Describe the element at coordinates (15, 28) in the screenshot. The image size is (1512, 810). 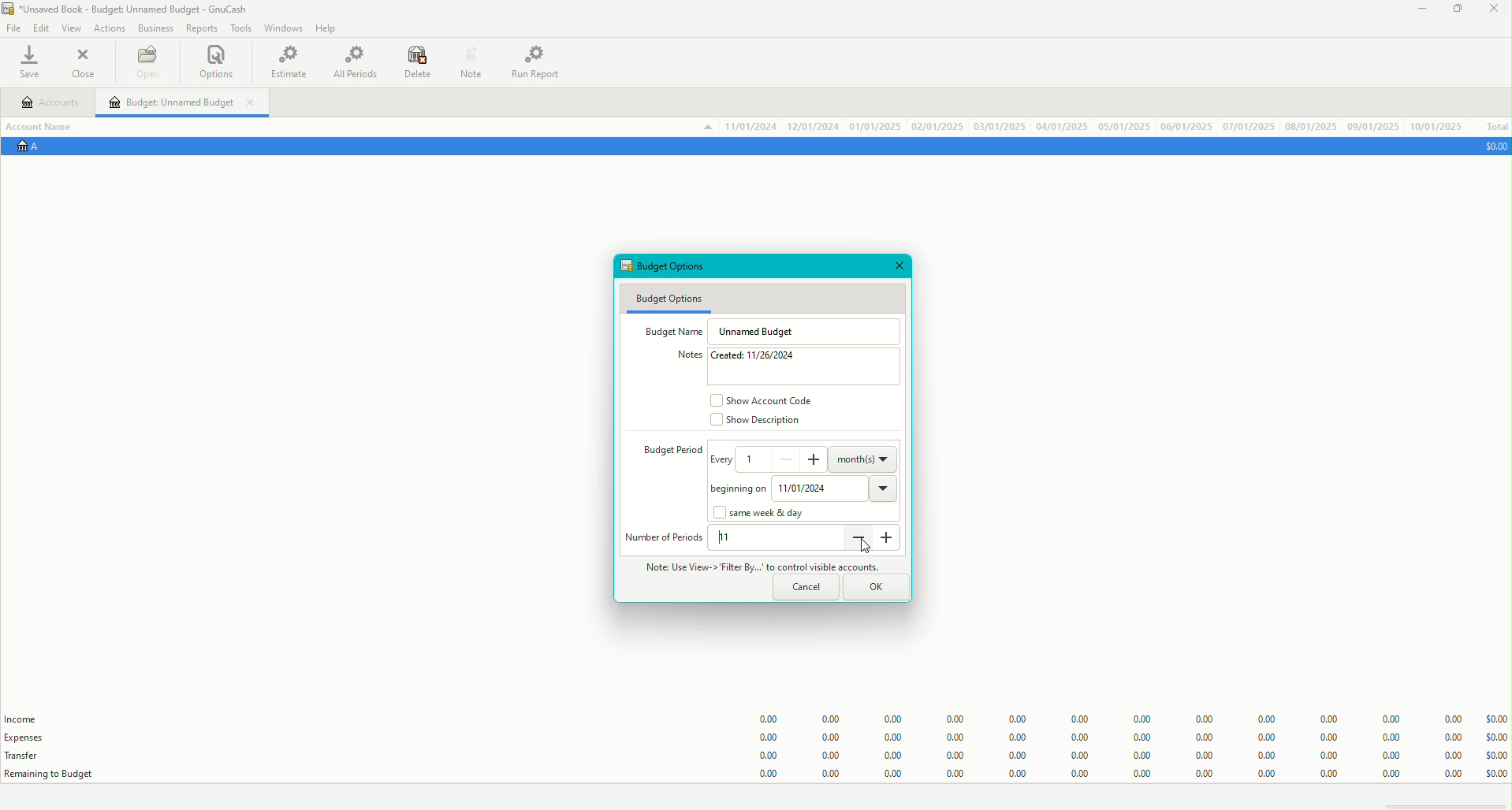
I see `File` at that location.